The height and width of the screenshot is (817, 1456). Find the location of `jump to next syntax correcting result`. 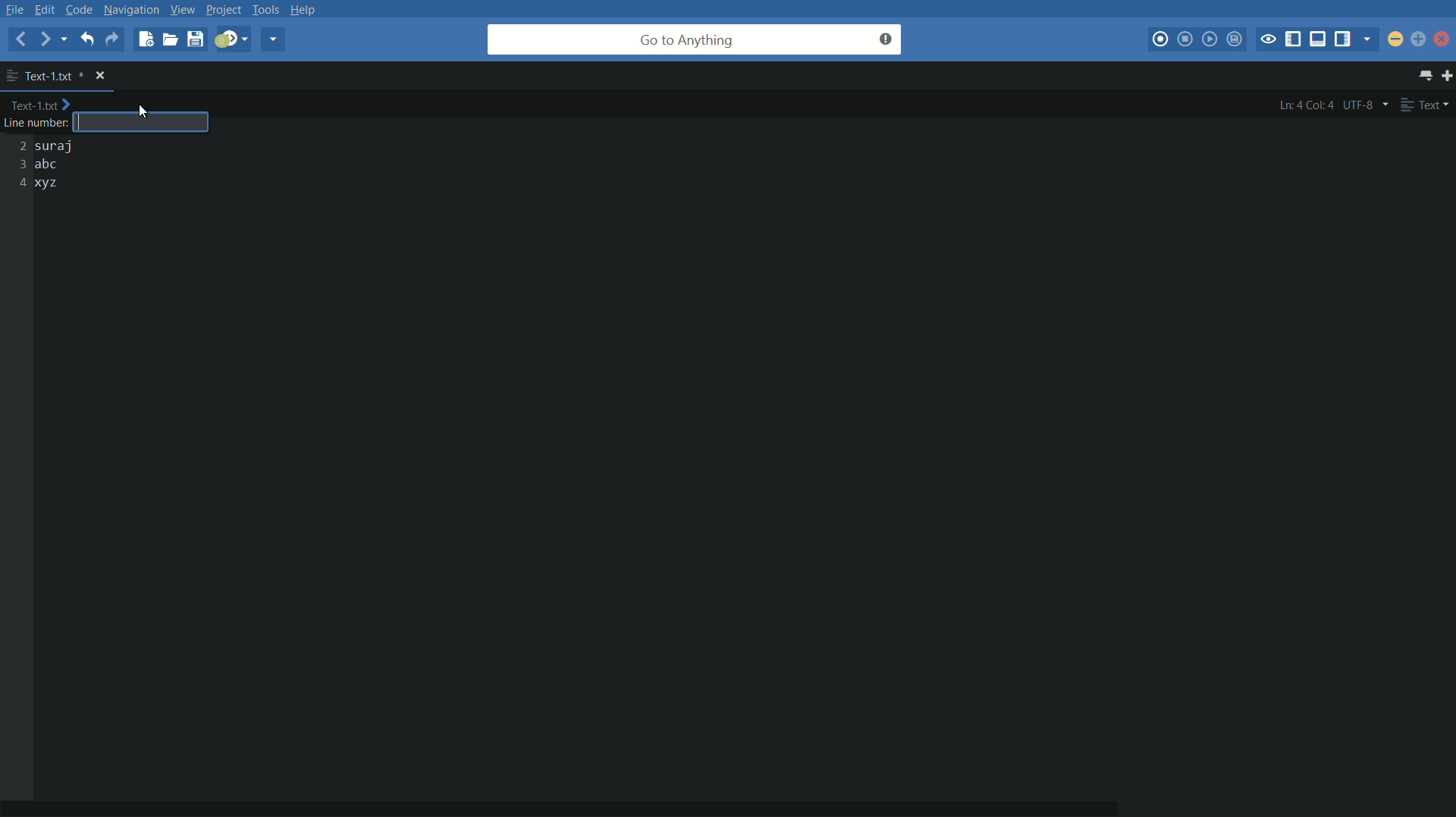

jump to next syntax correcting result is located at coordinates (231, 39).